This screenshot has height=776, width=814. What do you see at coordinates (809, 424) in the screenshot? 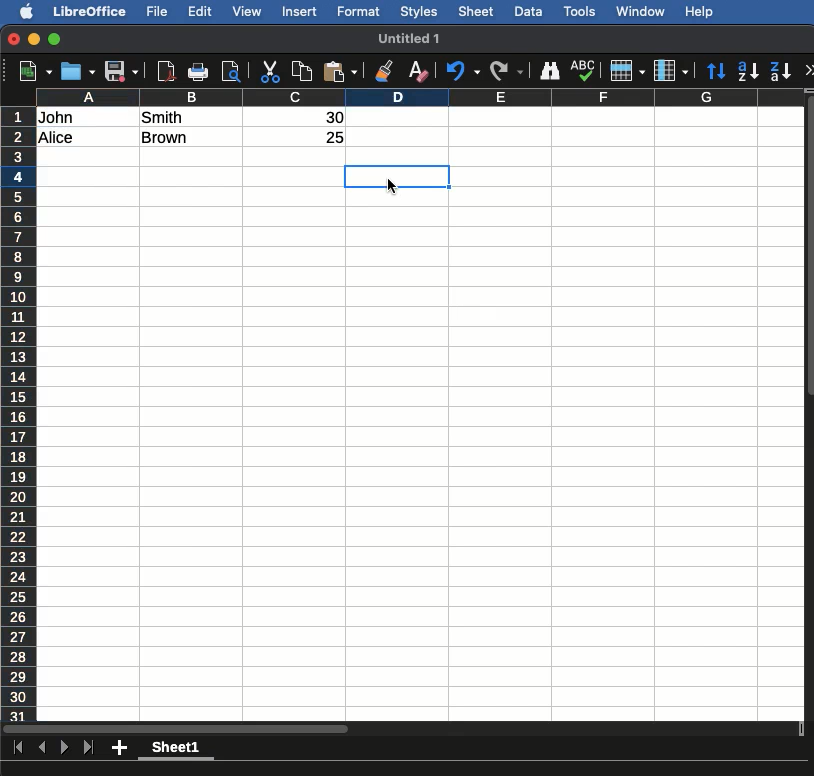
I see `Scroll` at bounding box center [809, 424].